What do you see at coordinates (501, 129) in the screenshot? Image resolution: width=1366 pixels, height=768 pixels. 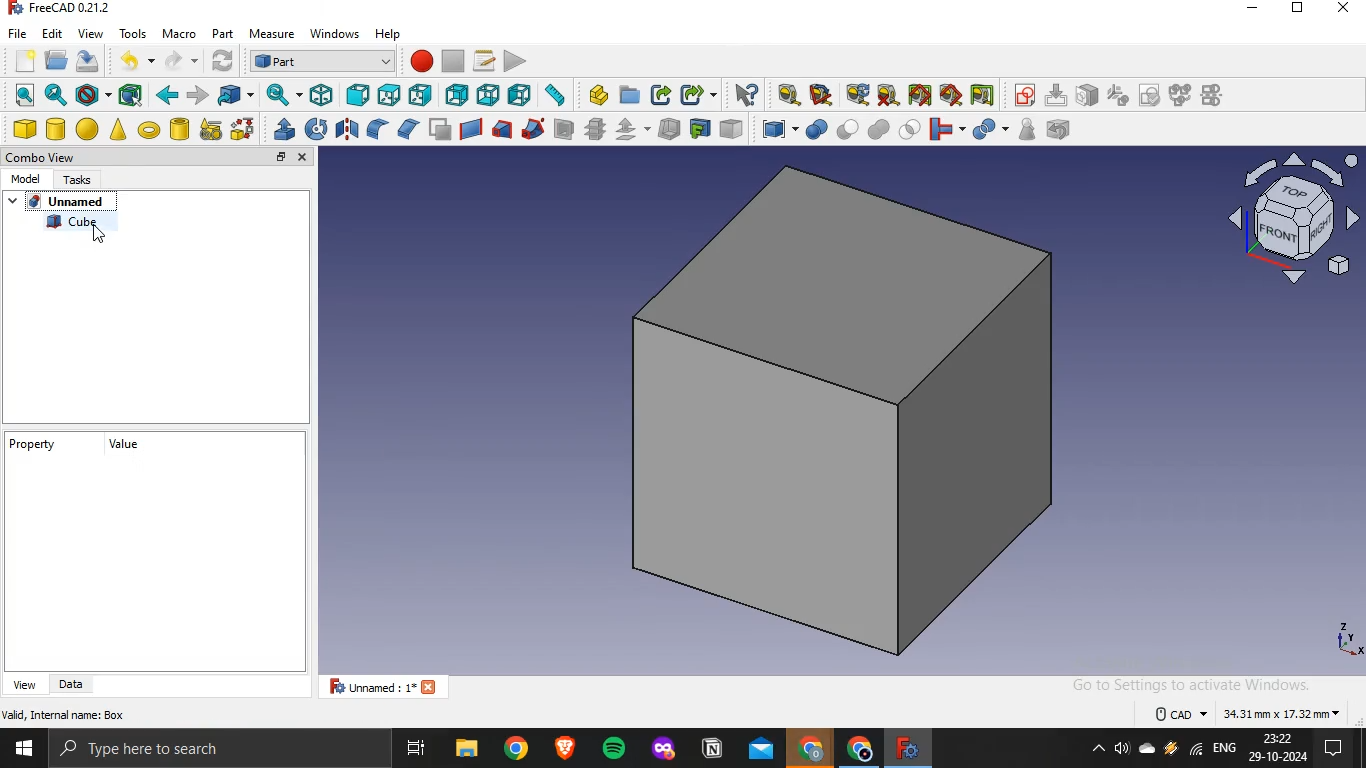 I see `loft` at bounding box center [501, 129].